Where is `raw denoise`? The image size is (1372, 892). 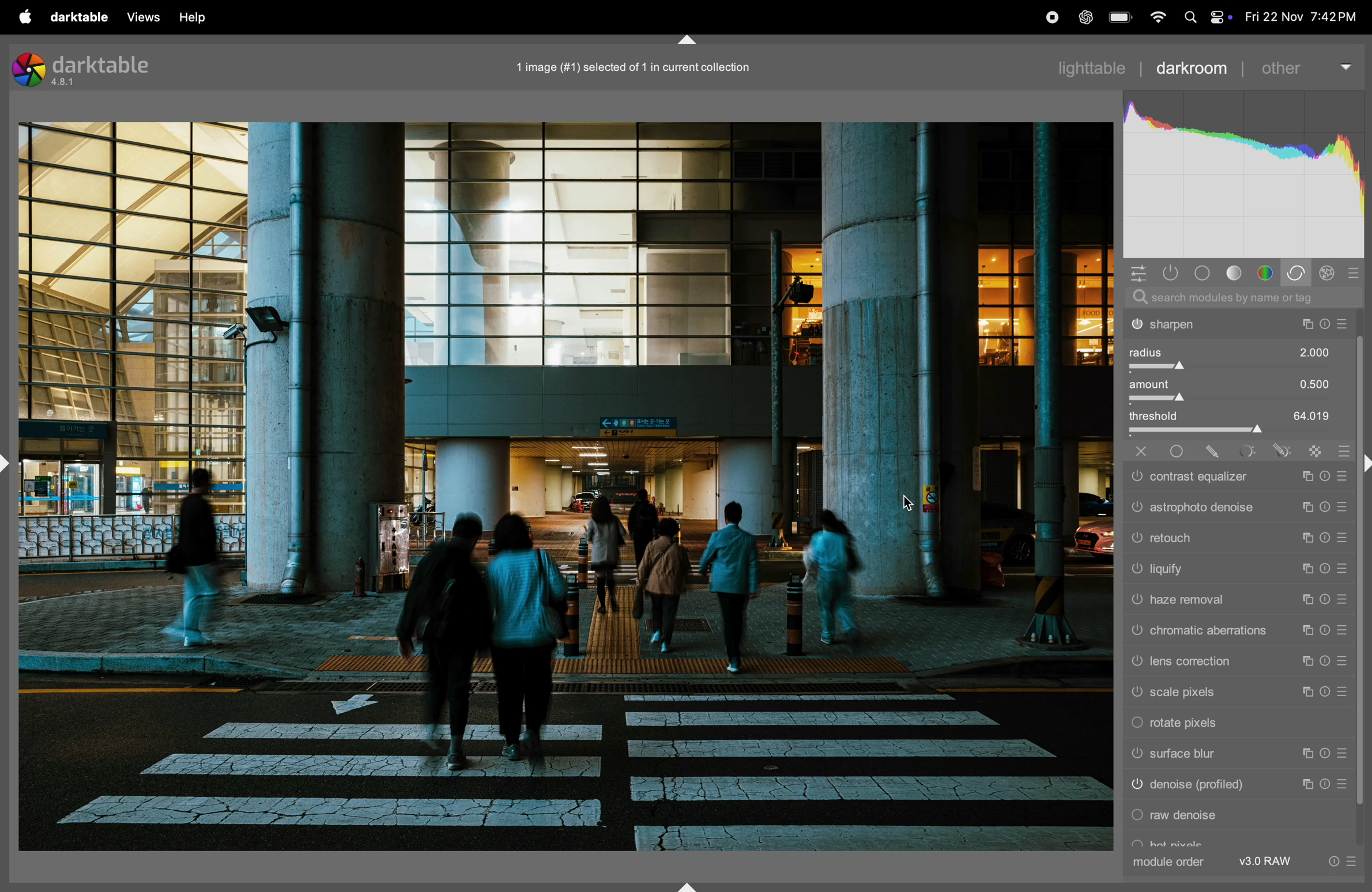
raw denoise is located at coordinates (1238, 818).